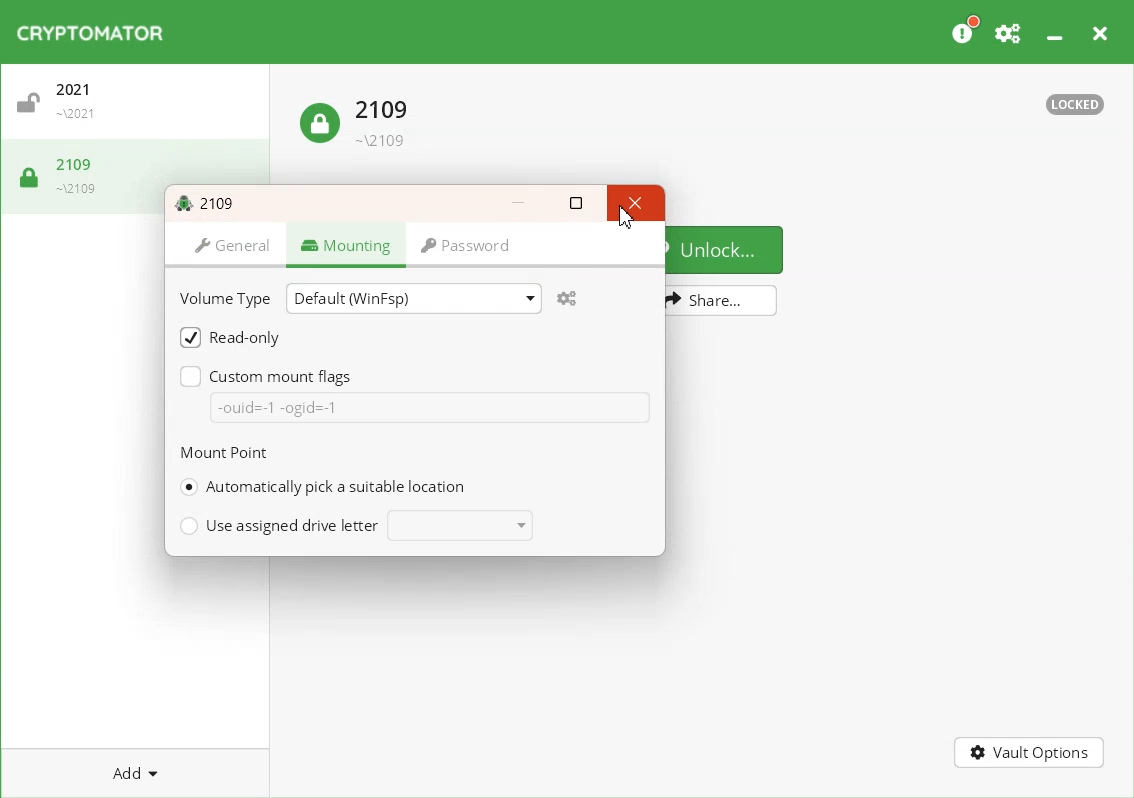 The width and height of the screenshot is (1134, 798). I want to click on Minimize, so click(519, 202).